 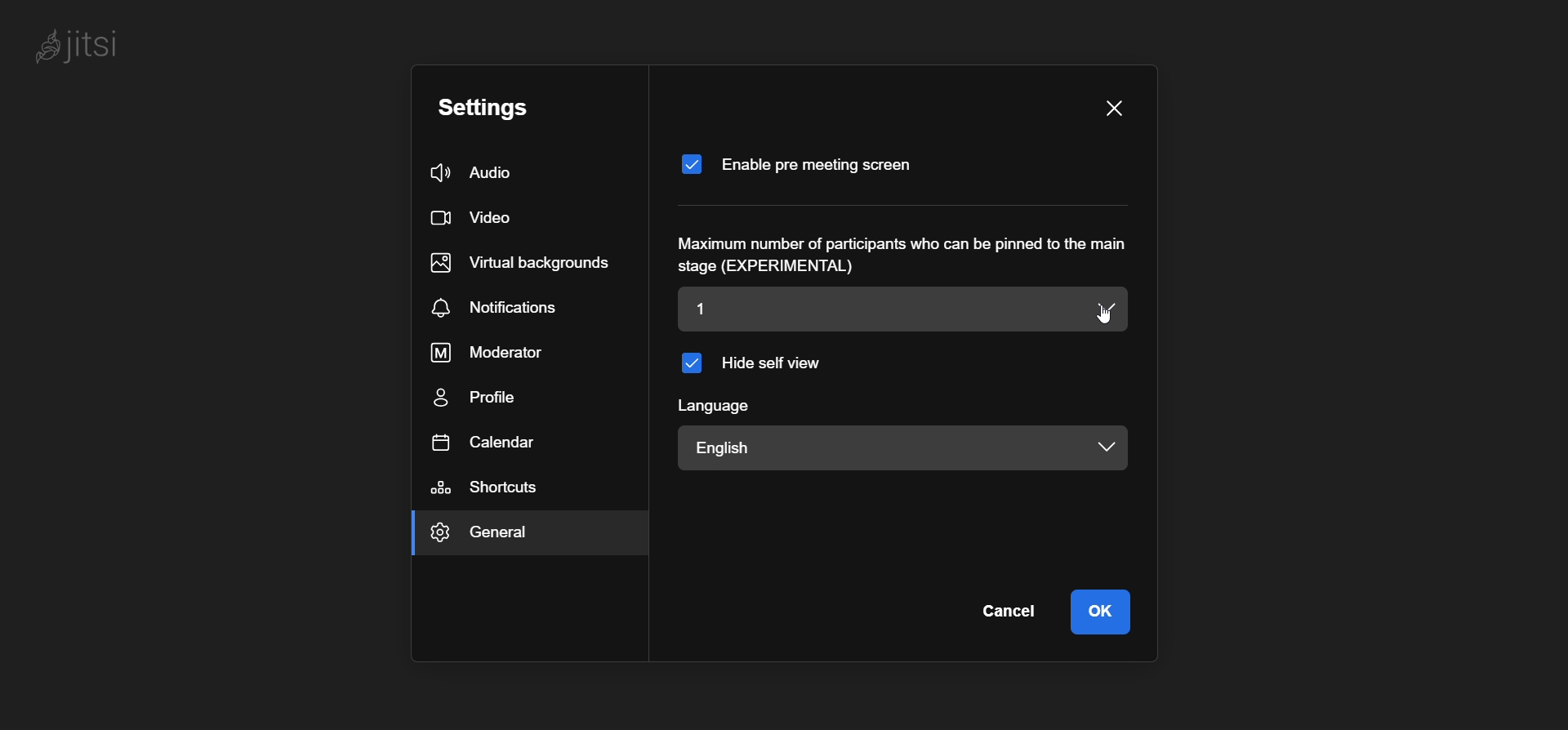 I want to click on general, so click(x=501, y=536).